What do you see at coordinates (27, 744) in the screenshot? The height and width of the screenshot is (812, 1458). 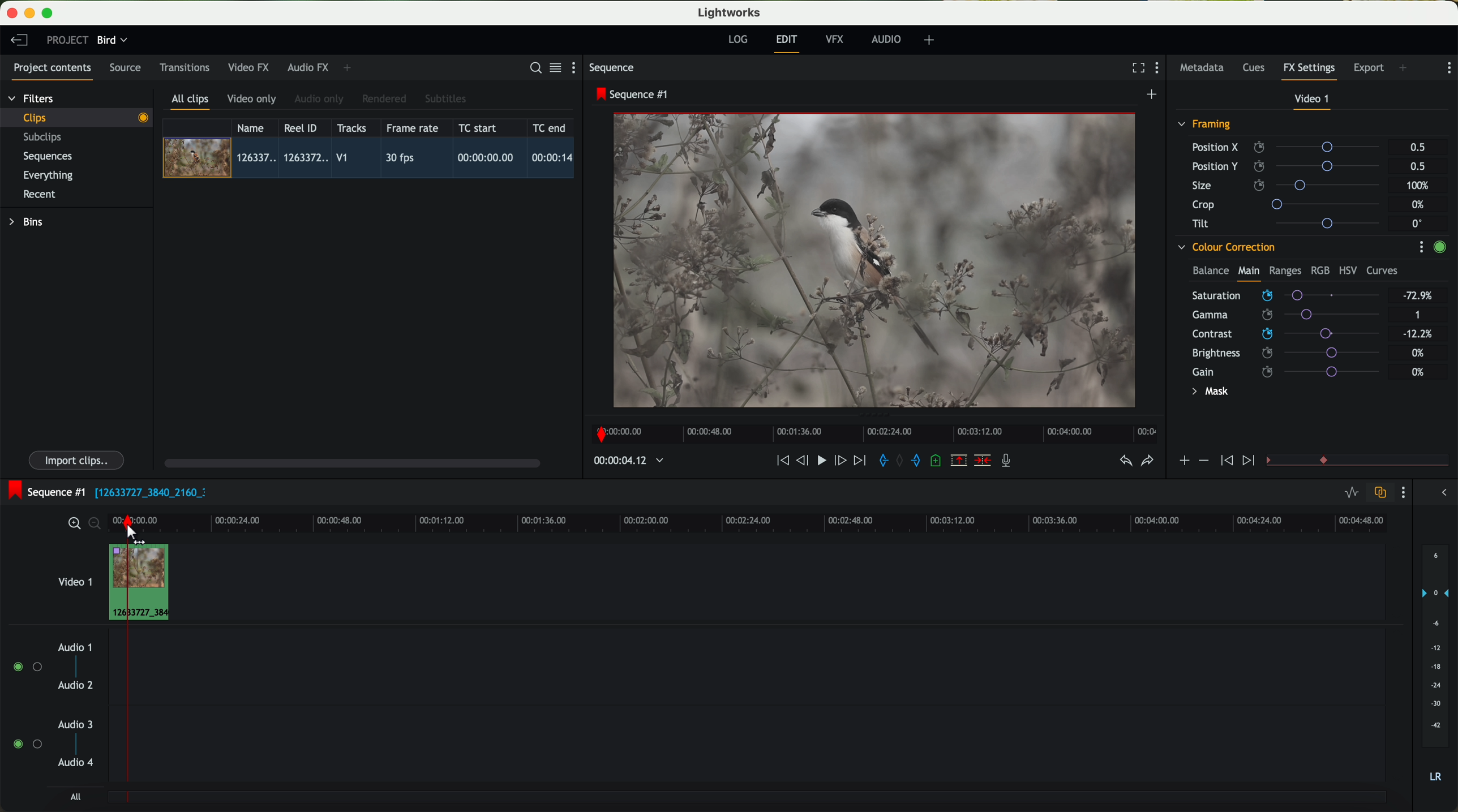 I see `enable audio` at bounding box center [27, 744].